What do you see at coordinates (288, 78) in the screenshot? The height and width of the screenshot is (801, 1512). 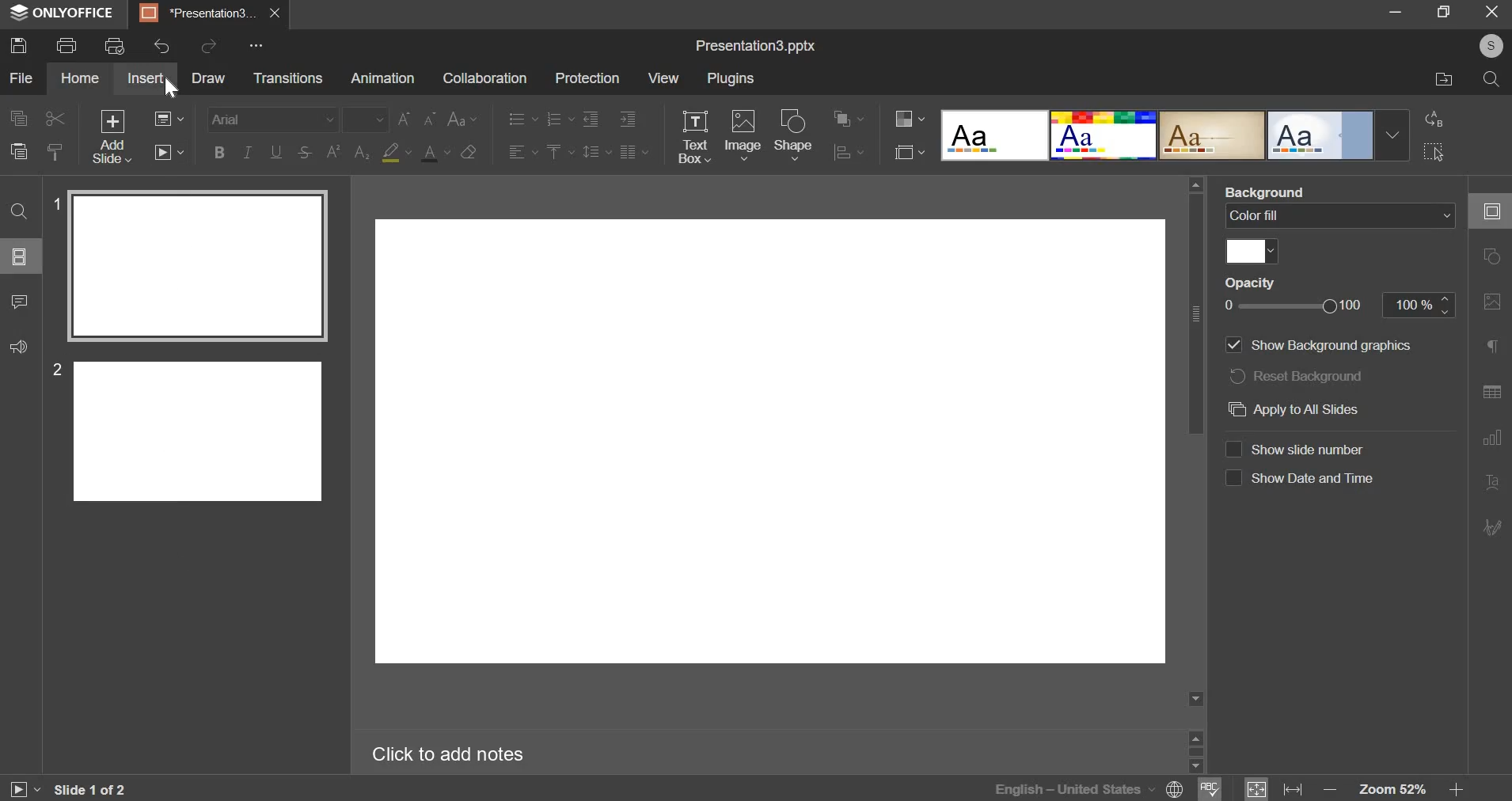 I see `transitions` at bounding box center [288, 78].